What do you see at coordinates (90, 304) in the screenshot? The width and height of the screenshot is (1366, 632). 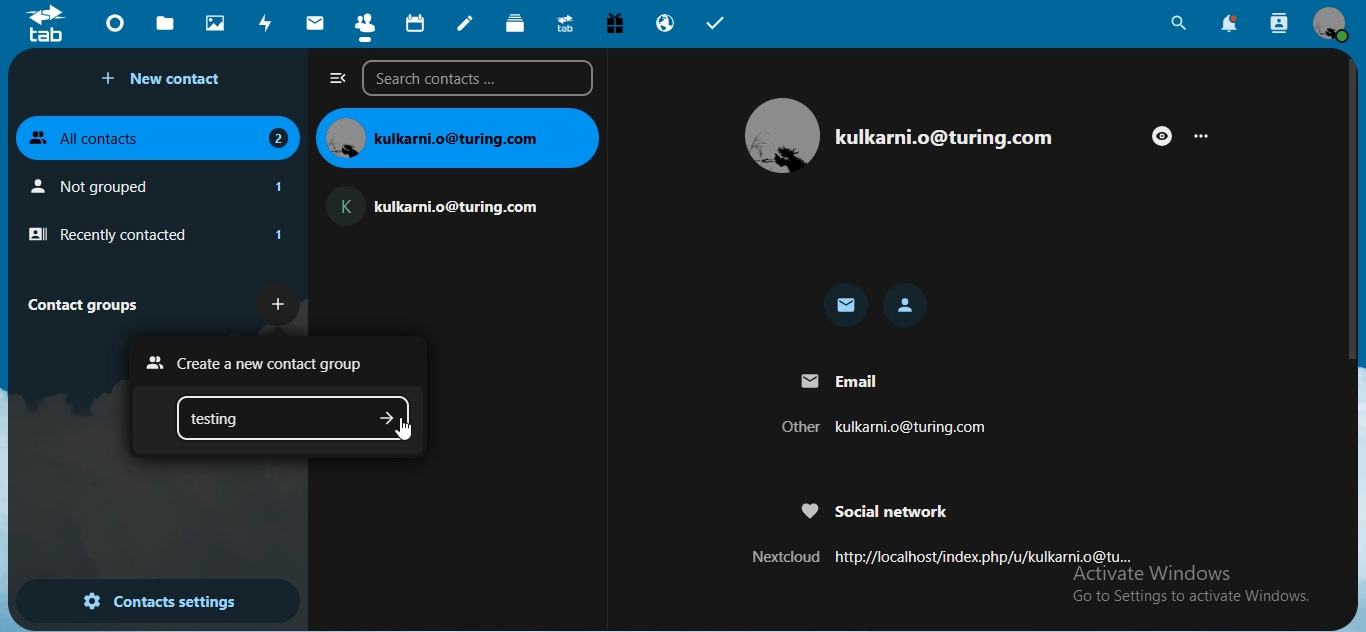 I see `contact group` at bounding box center [90, 304].